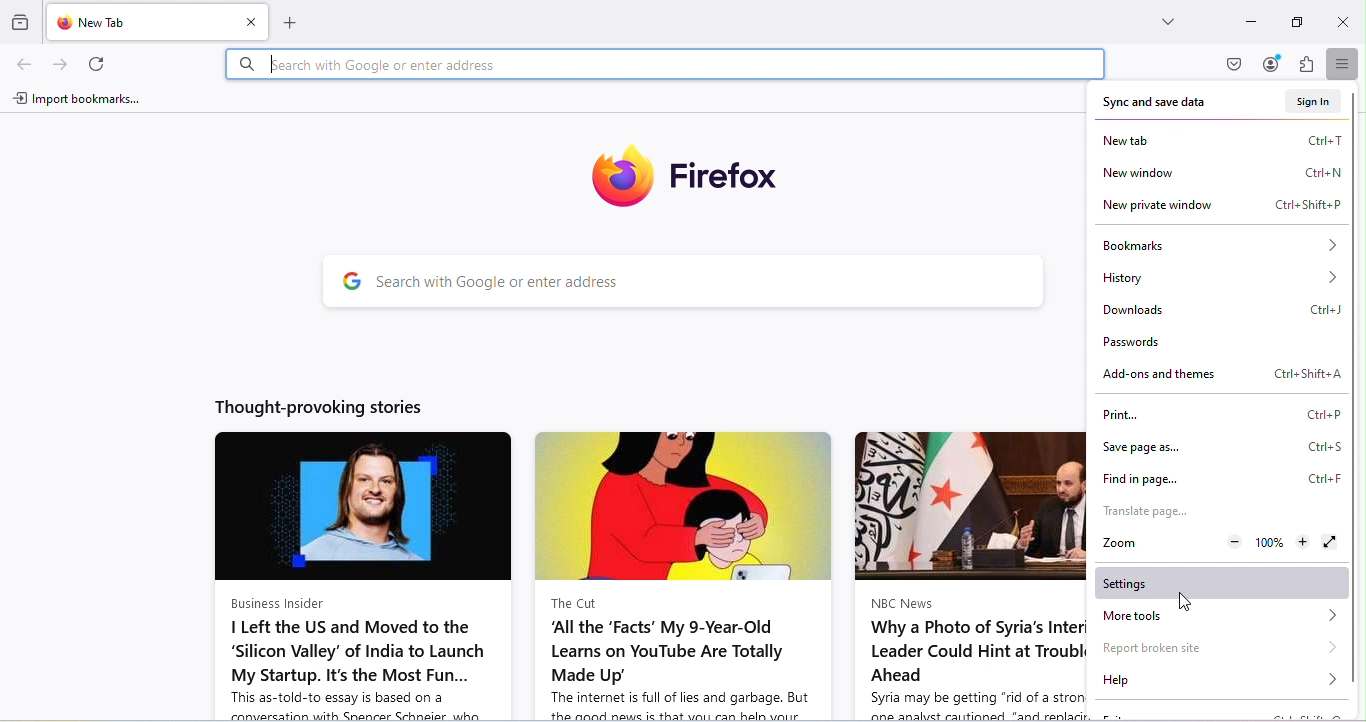  What do you see at coordinates (346, 282) in the screenshot?
I see `google logo` at bounding box center [346, 282].